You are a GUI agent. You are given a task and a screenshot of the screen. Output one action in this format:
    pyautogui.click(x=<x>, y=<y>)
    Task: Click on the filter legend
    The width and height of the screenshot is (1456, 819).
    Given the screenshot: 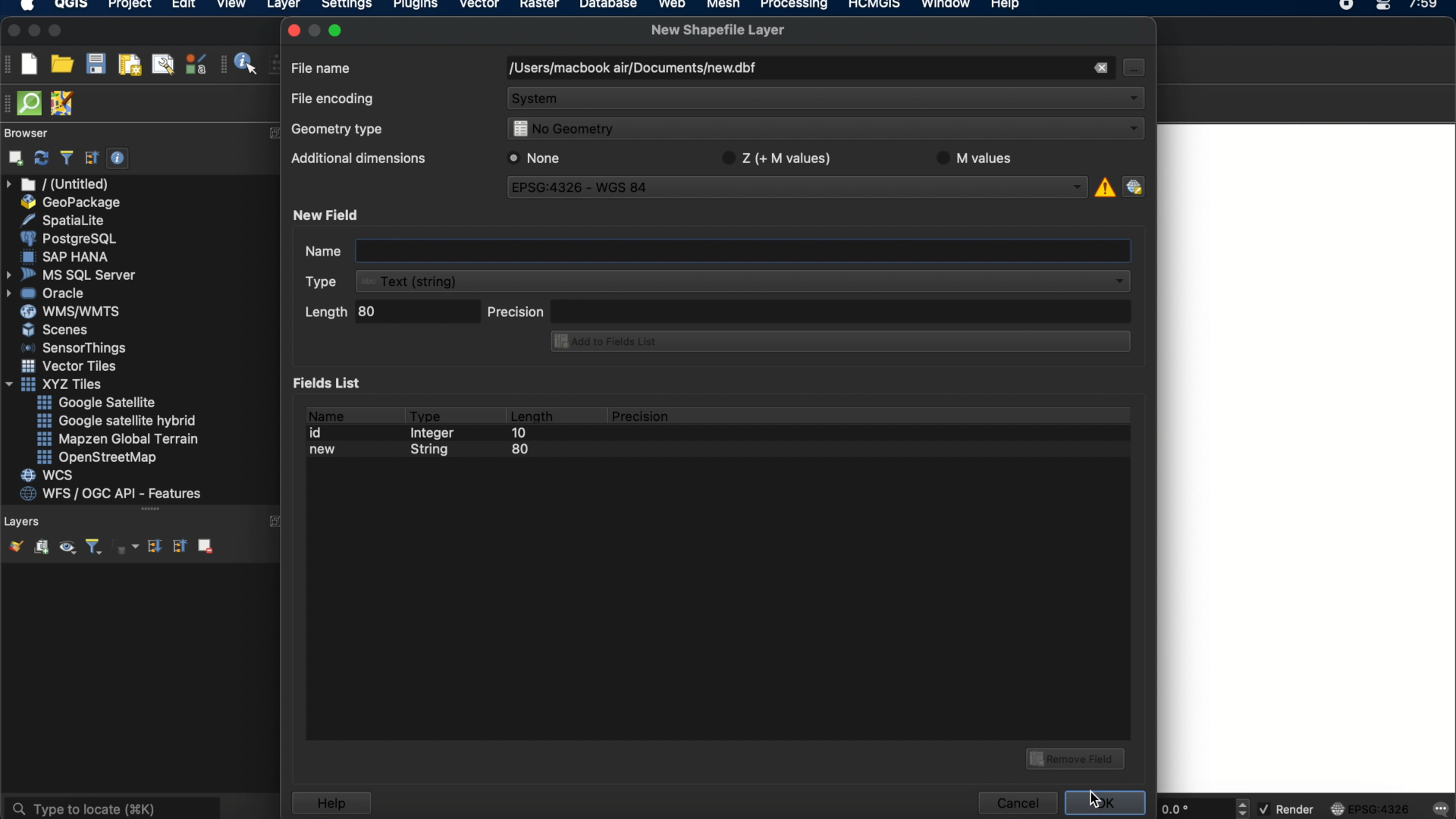 What is the action you would take?
    pyautogui.click(x=93, y=548)
    